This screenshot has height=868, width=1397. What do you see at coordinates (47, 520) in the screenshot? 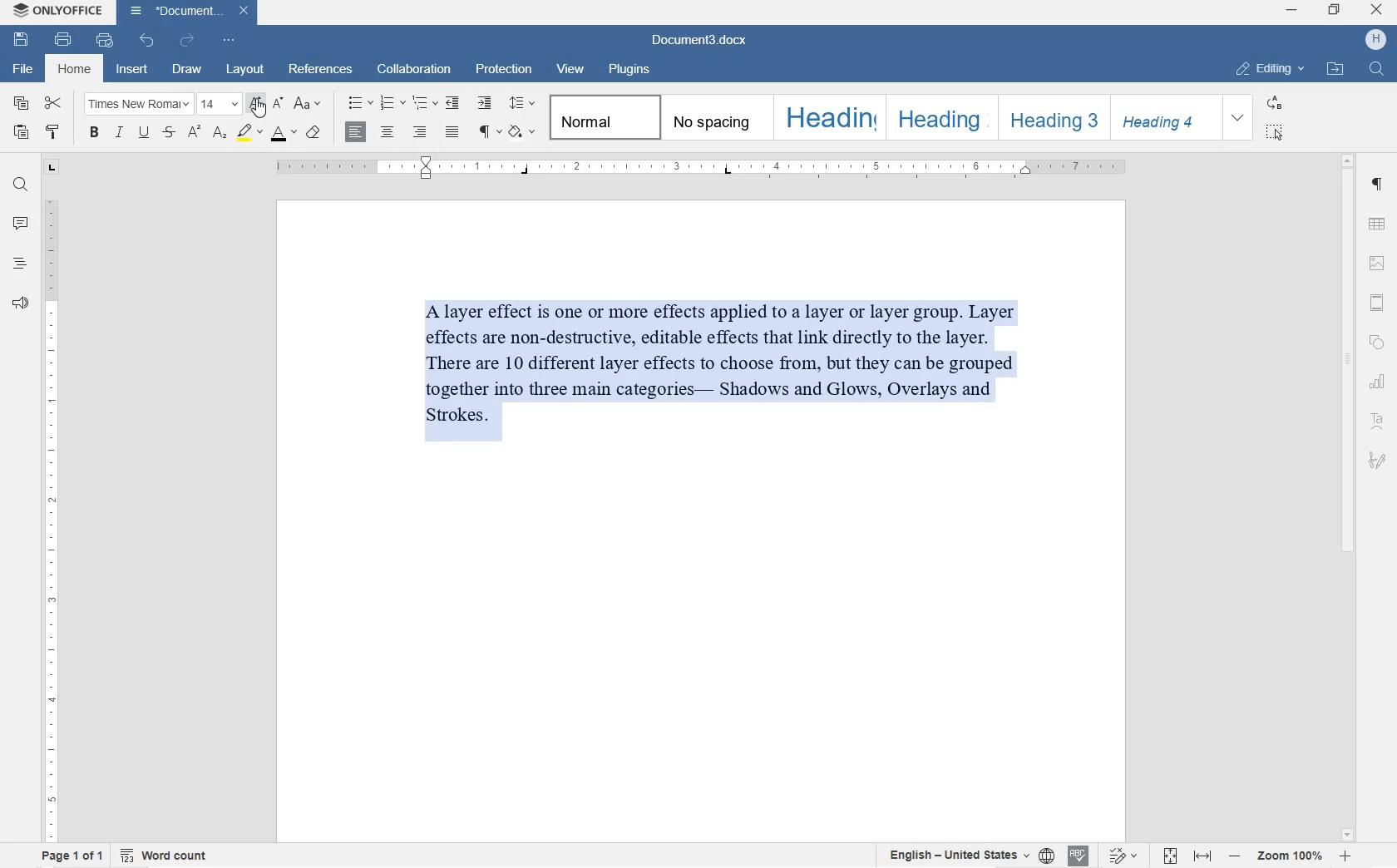
I see `ruler` at bounding box center [47, 520].